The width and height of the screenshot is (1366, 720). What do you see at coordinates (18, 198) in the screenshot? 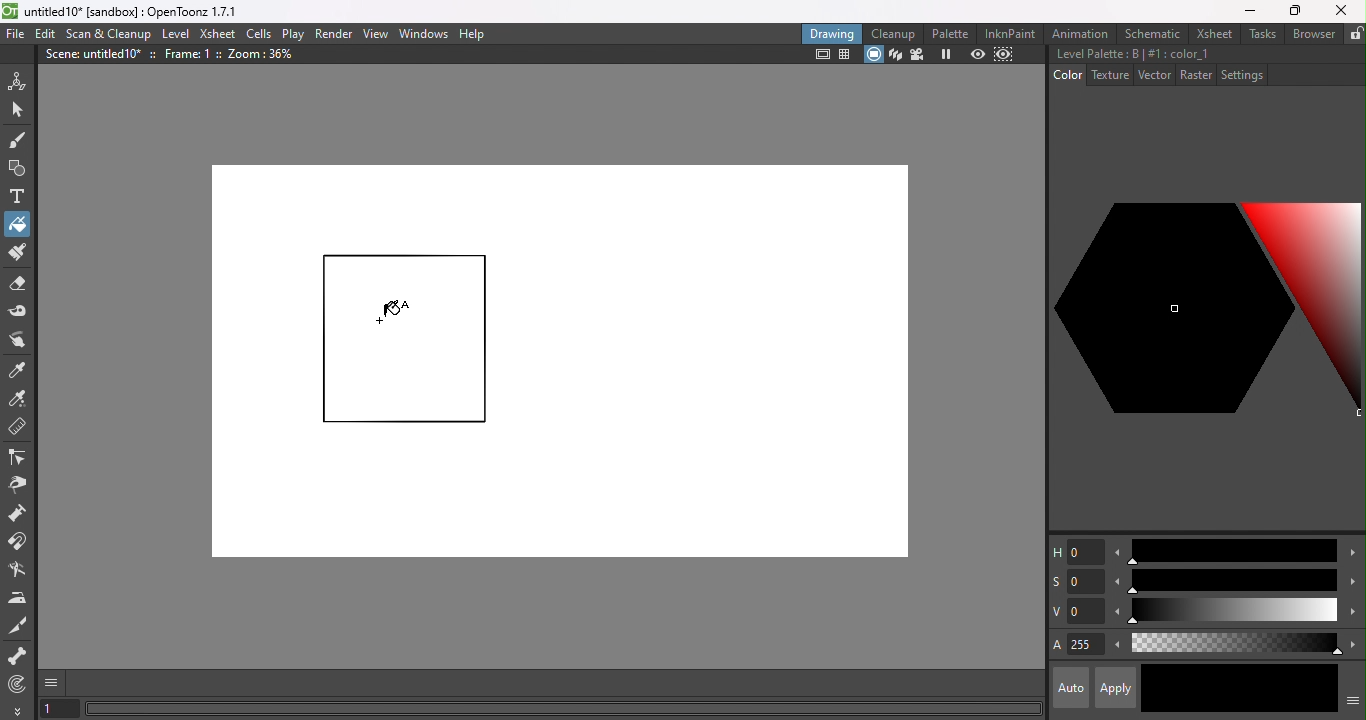
I see `Type tool` at bounding box center [18, 198].